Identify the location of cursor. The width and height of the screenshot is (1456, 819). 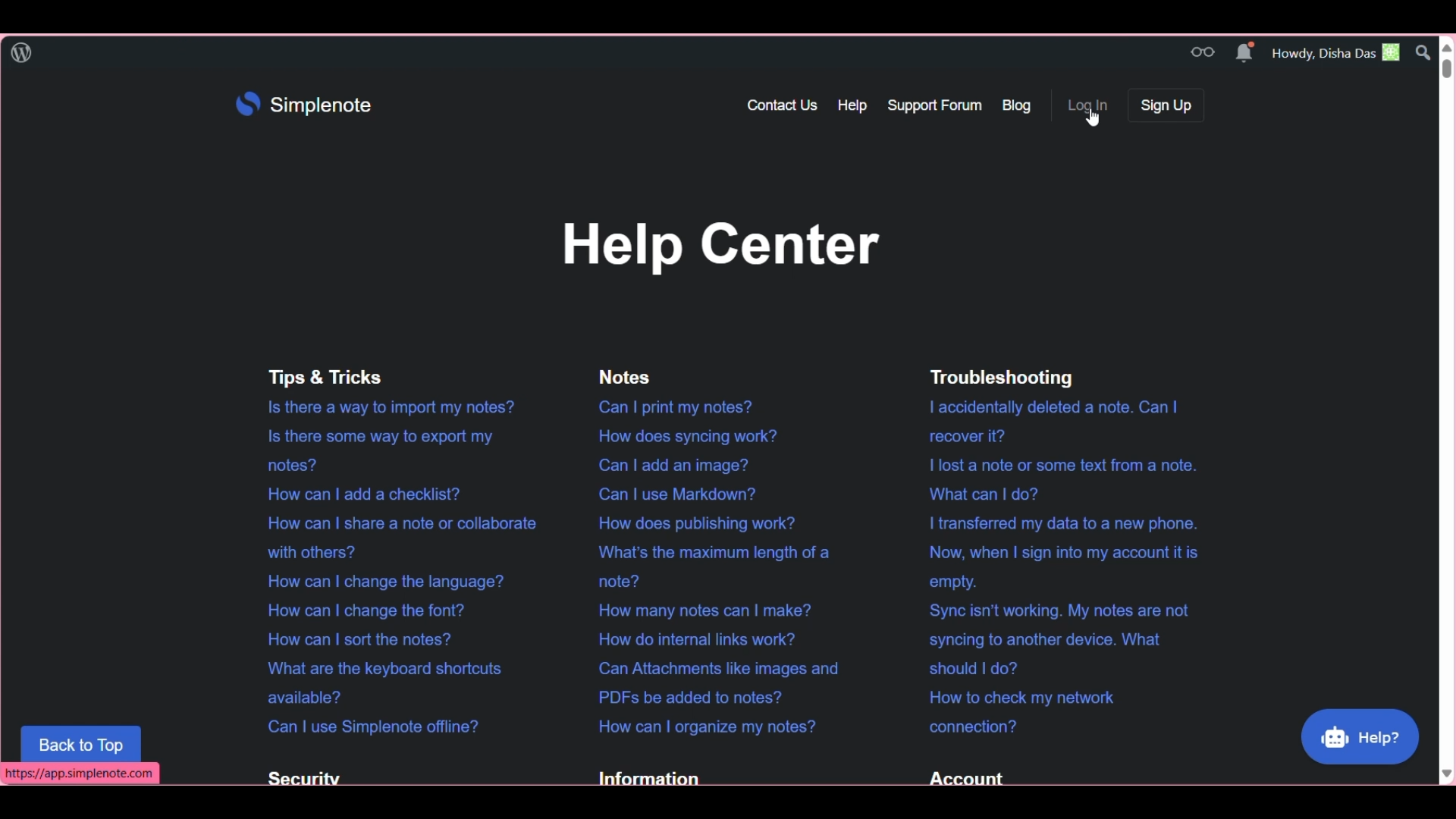
(1091, 121).